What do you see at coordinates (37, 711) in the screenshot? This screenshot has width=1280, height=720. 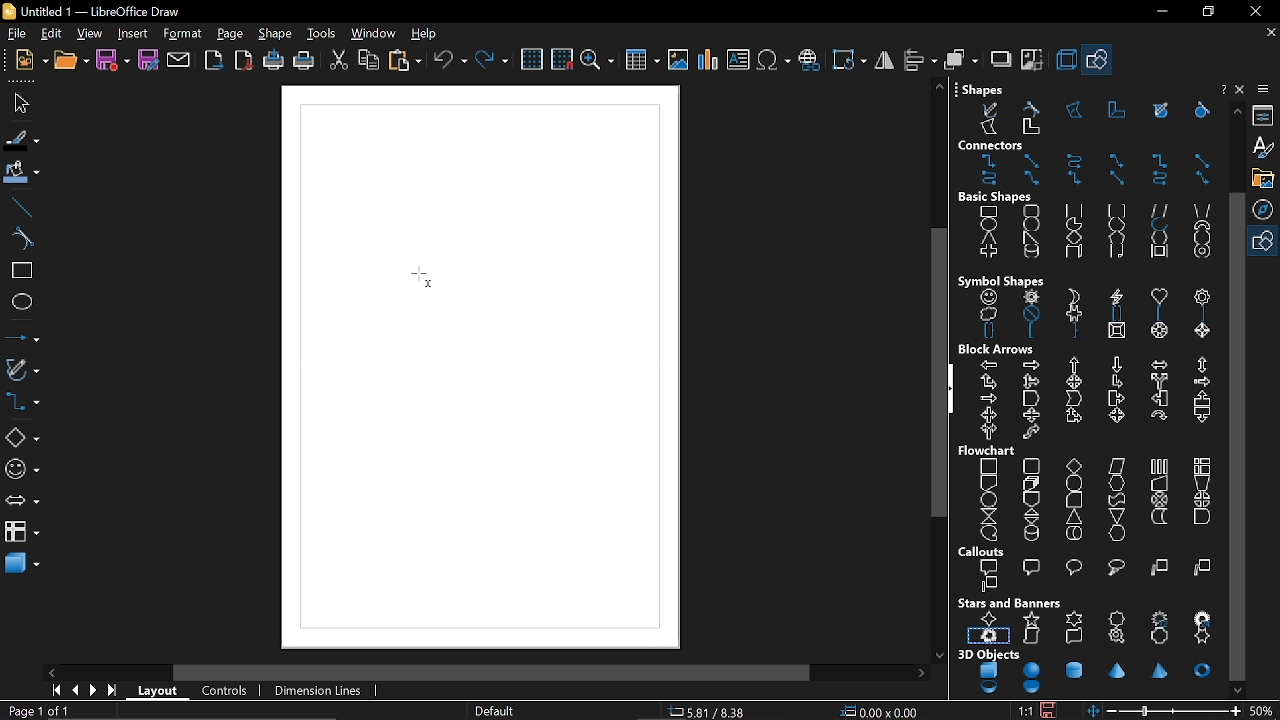 I see `current page (Page 1 of 1)` at bounding box center [37, 711].